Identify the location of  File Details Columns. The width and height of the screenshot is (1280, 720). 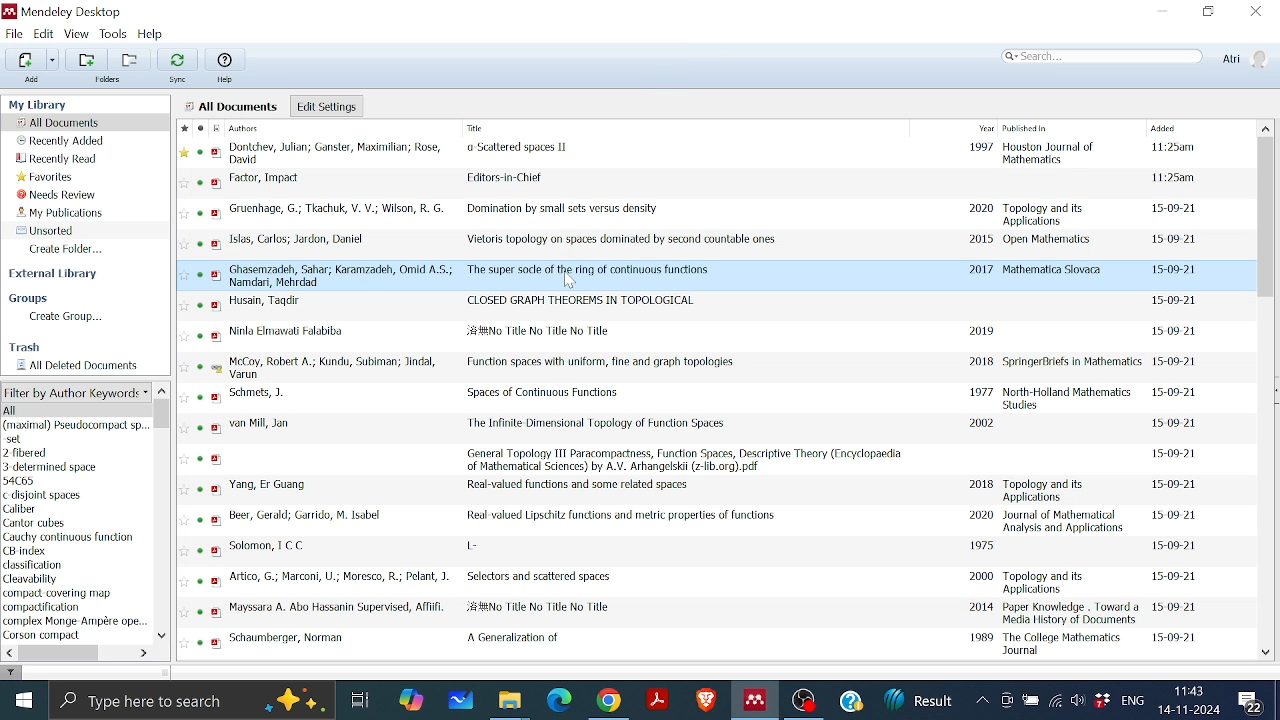
(704, 128).